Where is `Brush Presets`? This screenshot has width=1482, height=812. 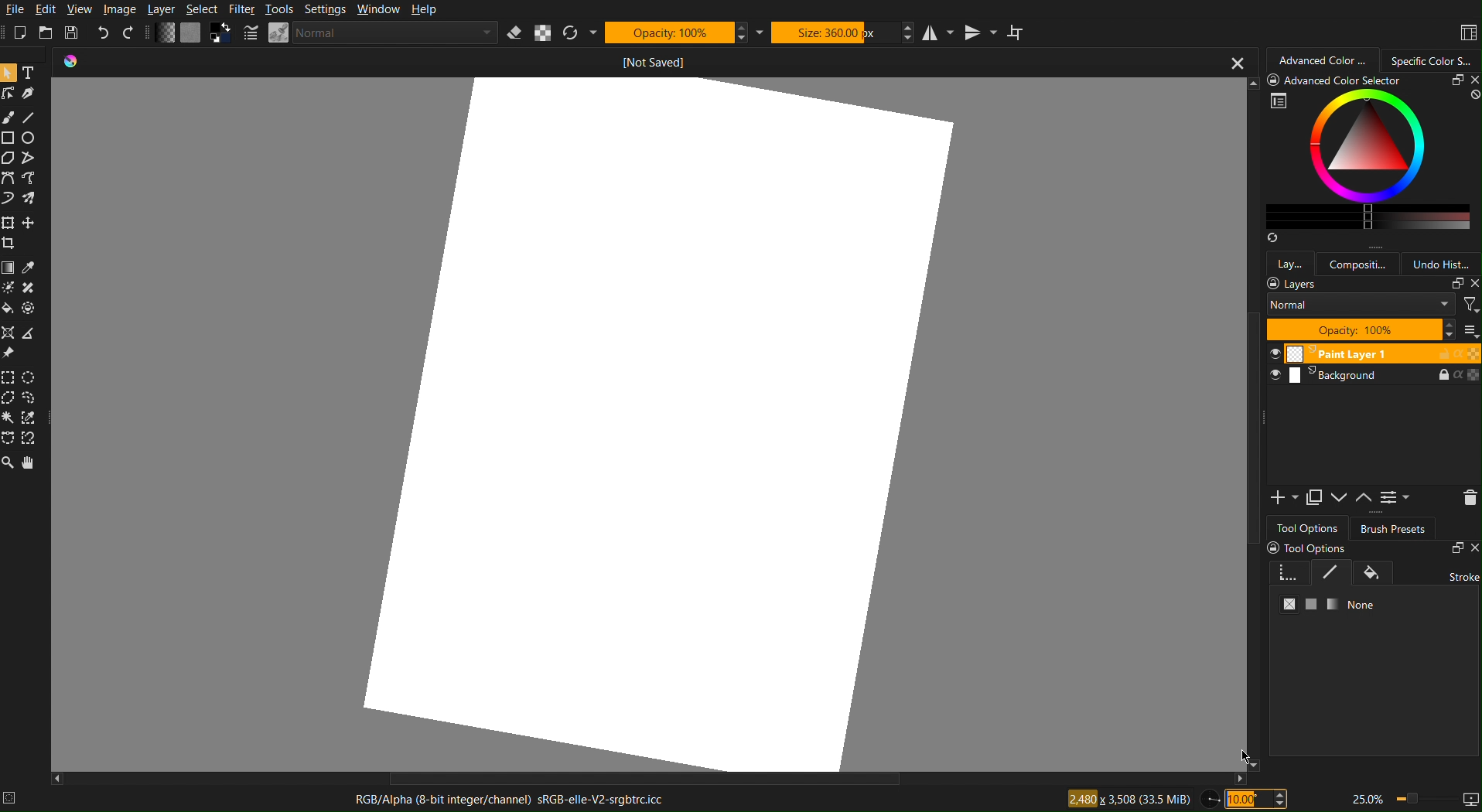
Brush Presets is located at coordinates (1393, 527).